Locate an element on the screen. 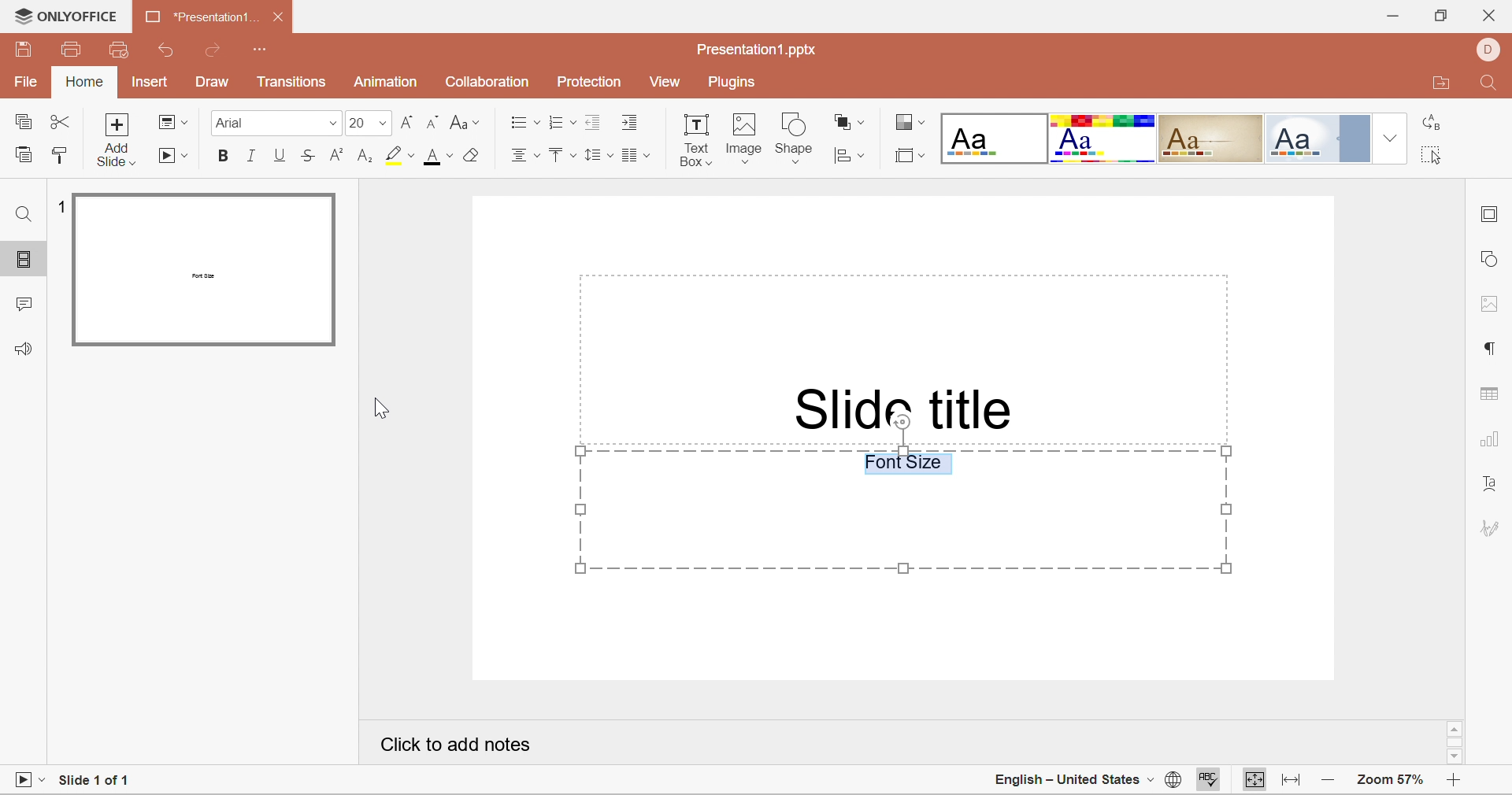 The width and height of the screenshot is (1512, 795). Transitions is located at coordinates (292, 85).